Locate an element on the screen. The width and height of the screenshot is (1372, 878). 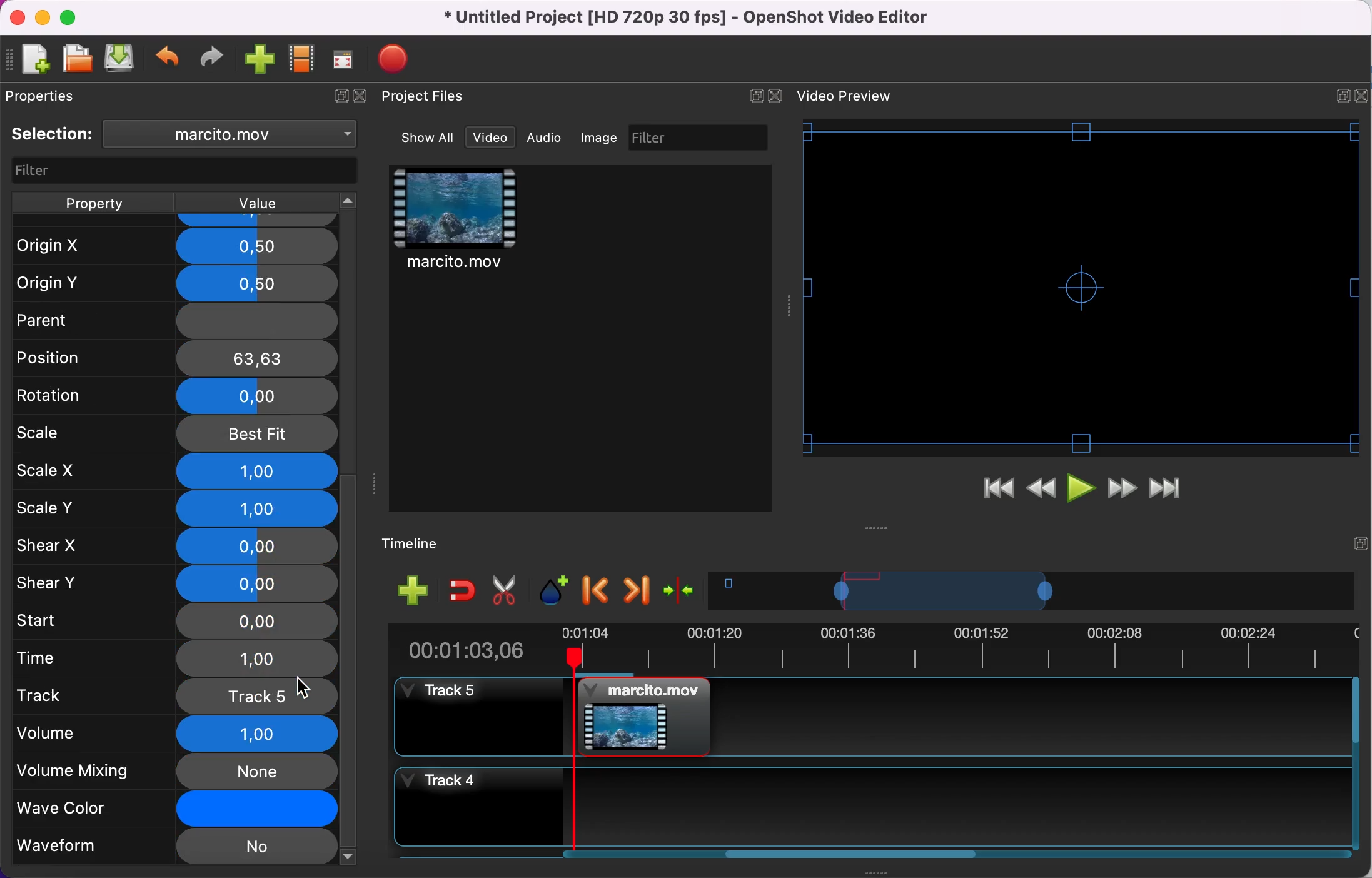
undo is located at coordinates (169, 59).